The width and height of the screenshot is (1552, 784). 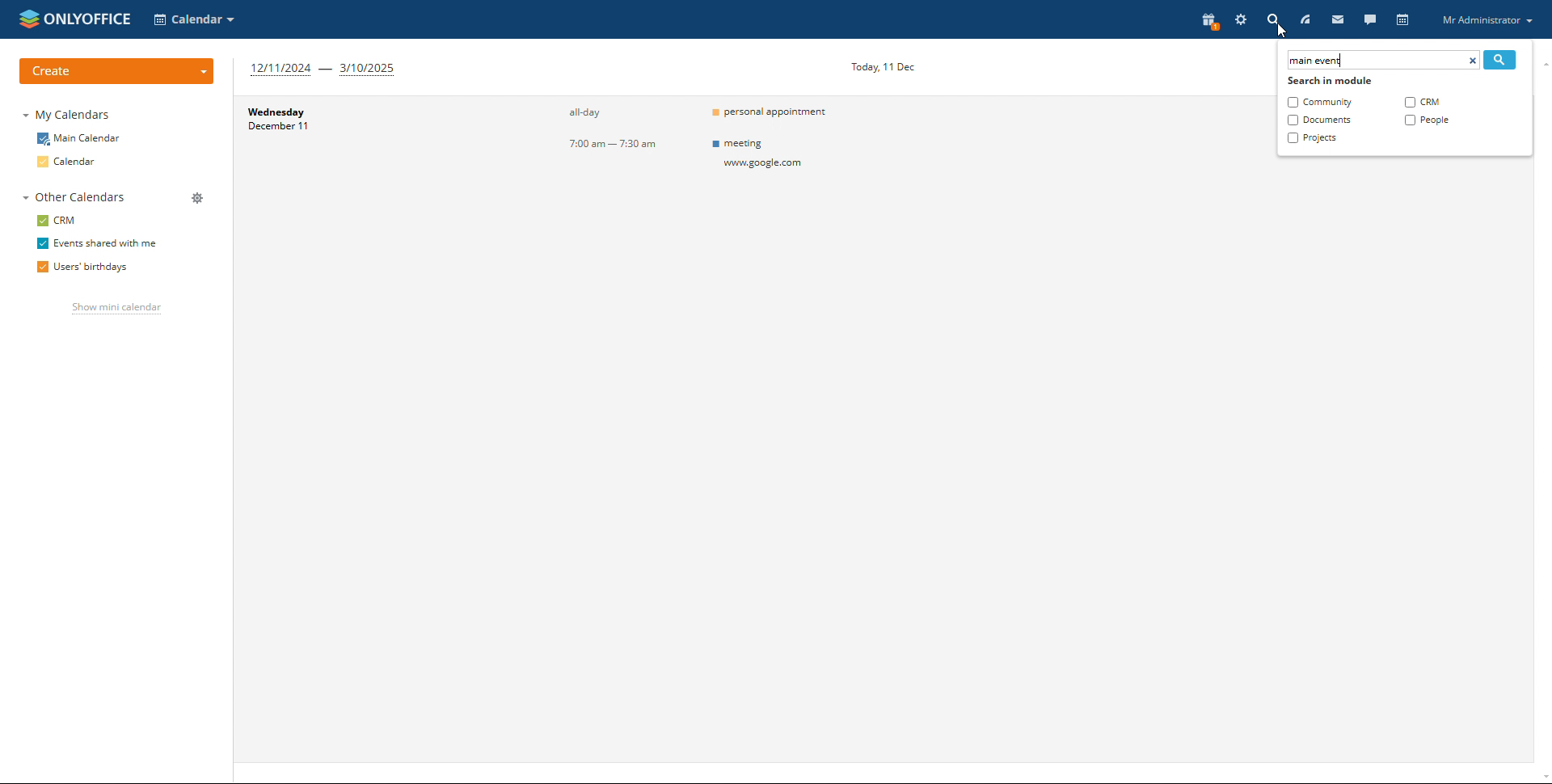 I want to click on manage, so click(x=196, y=199).